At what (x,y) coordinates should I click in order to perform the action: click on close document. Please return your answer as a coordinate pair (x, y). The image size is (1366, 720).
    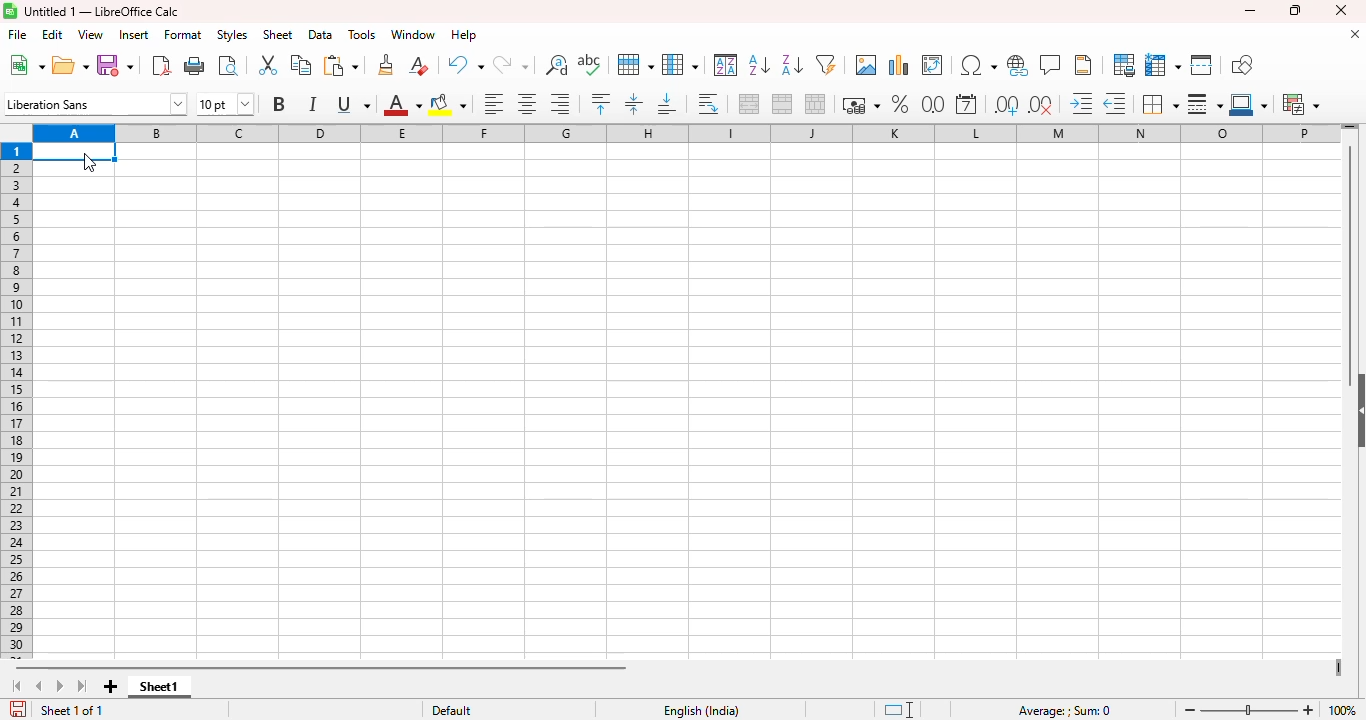
    Looking at the image, I should click on (1355, 34).